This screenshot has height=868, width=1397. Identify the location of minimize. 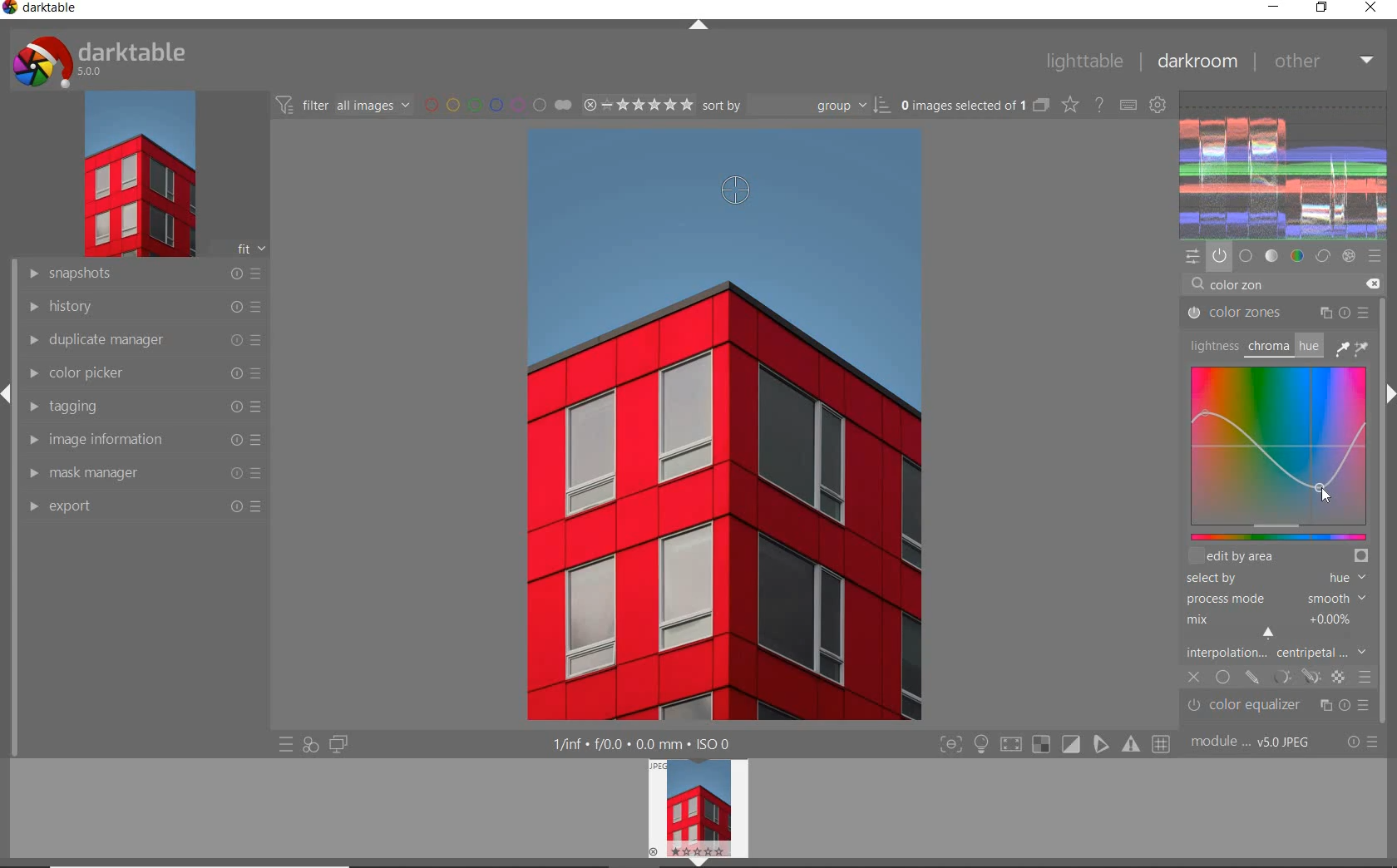
(1274, 8).